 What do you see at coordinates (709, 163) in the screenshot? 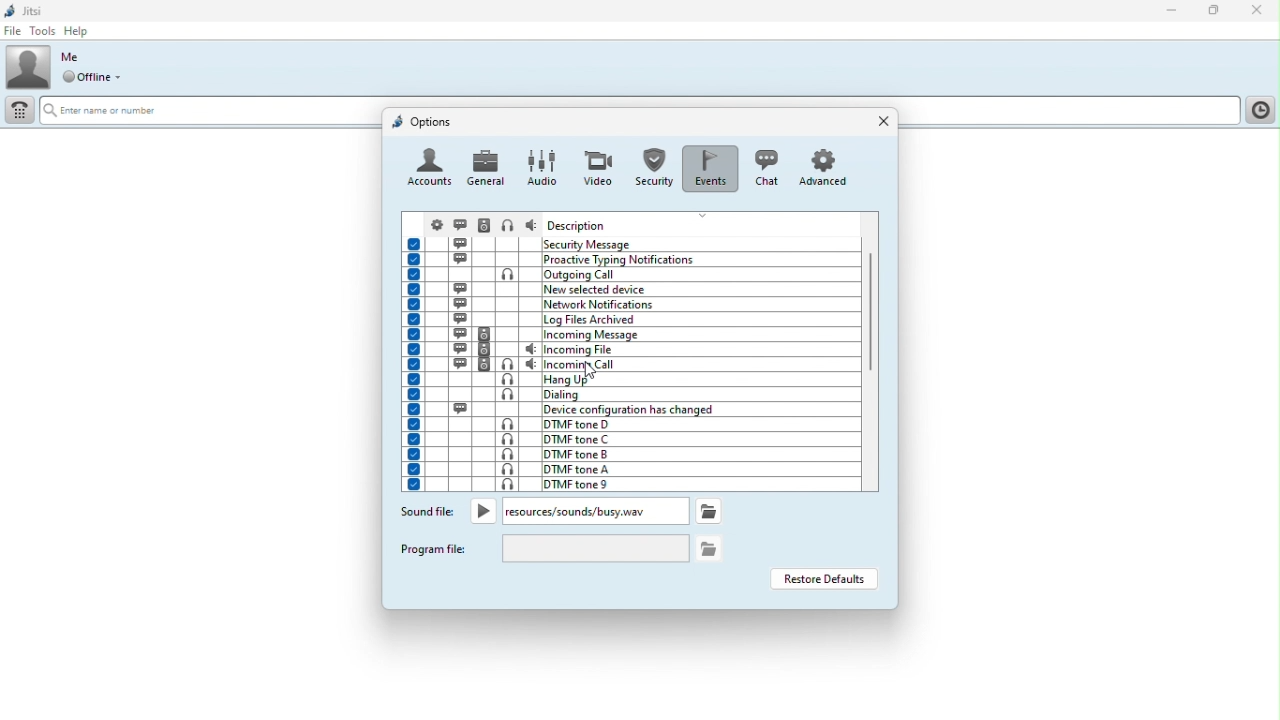
I see `Events` at bounding box center [709, 163].